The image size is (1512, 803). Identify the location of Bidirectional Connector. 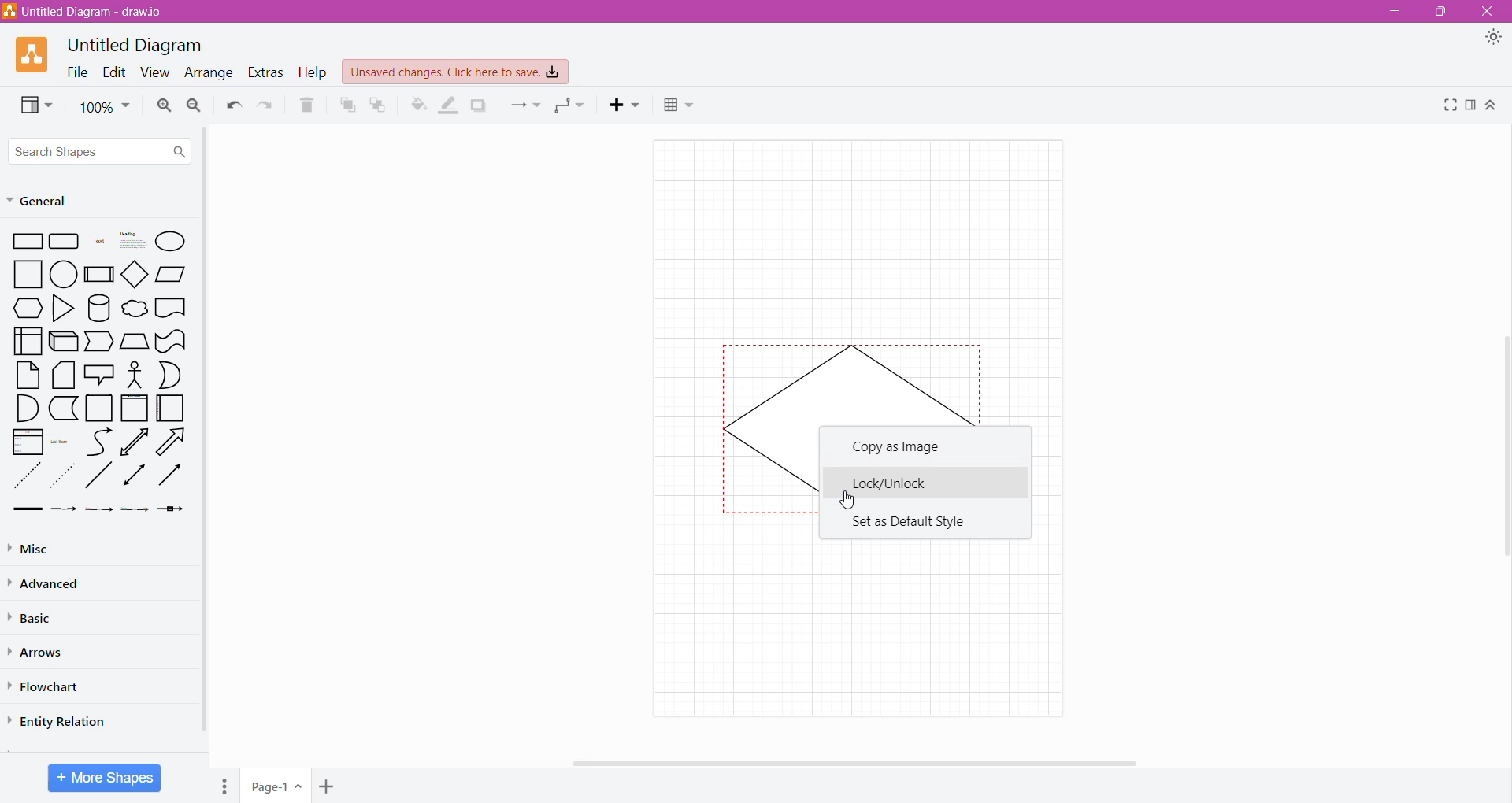
(135, 478).